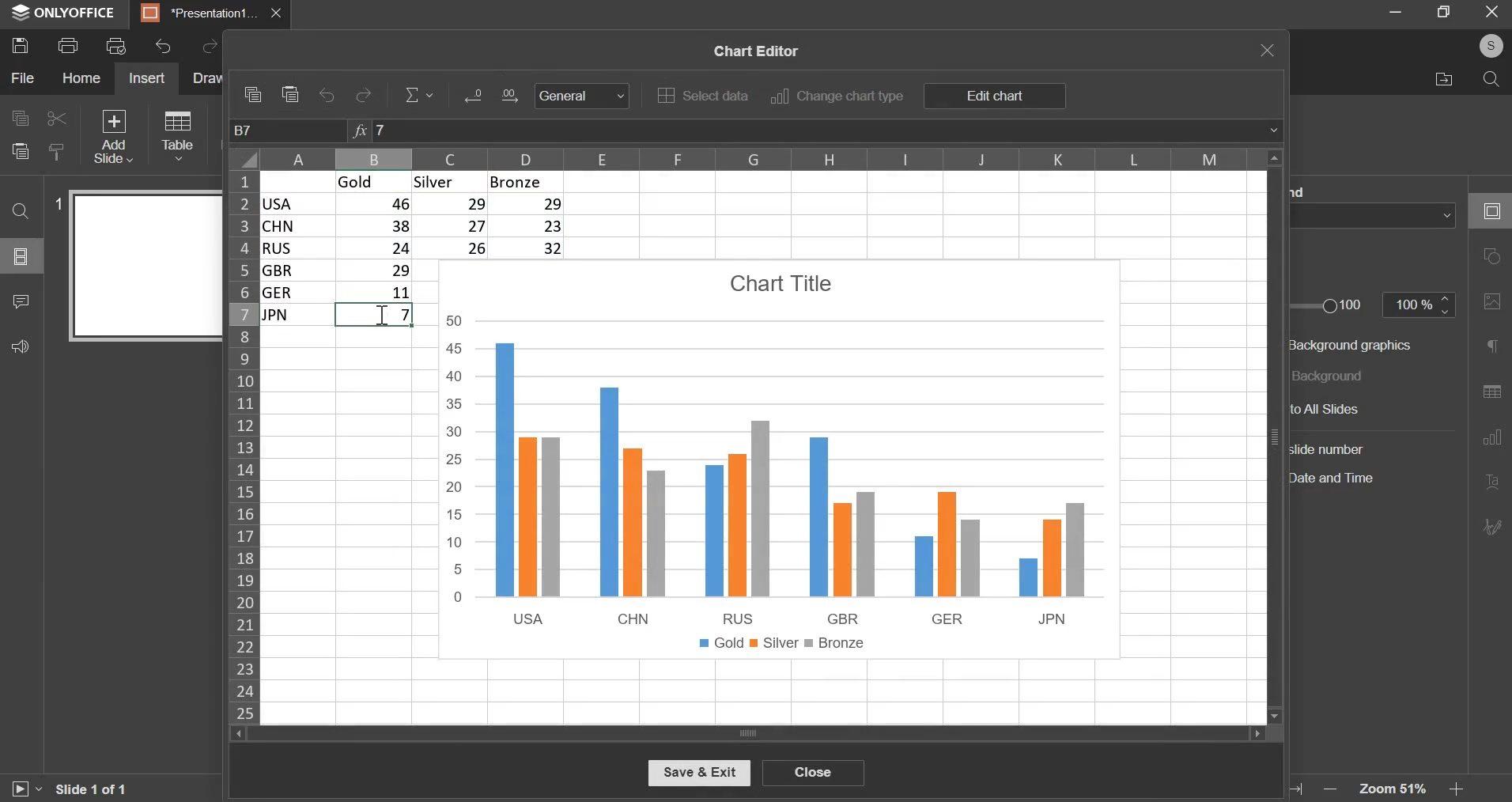 The height and width of the screenshot is (802, 1512). I want to click on comments, so click(20, 301).